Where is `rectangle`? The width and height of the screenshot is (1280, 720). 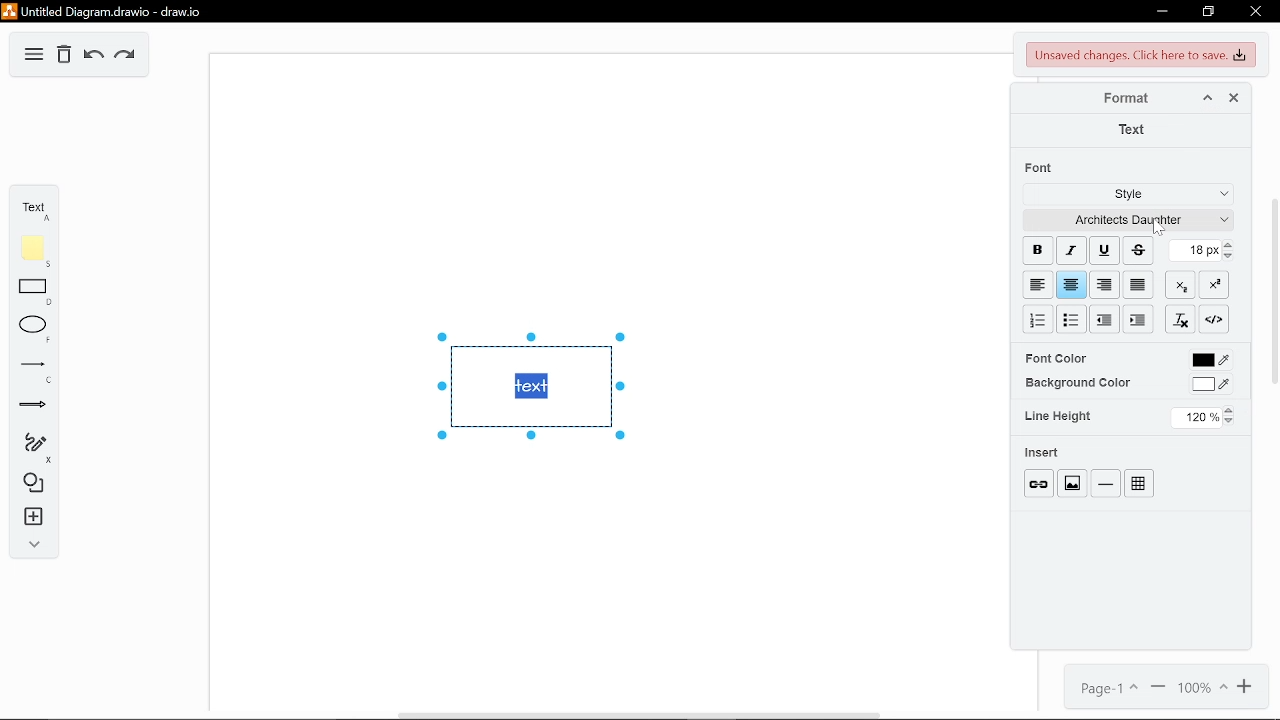
rectangle is located at coordinates (28, 292).